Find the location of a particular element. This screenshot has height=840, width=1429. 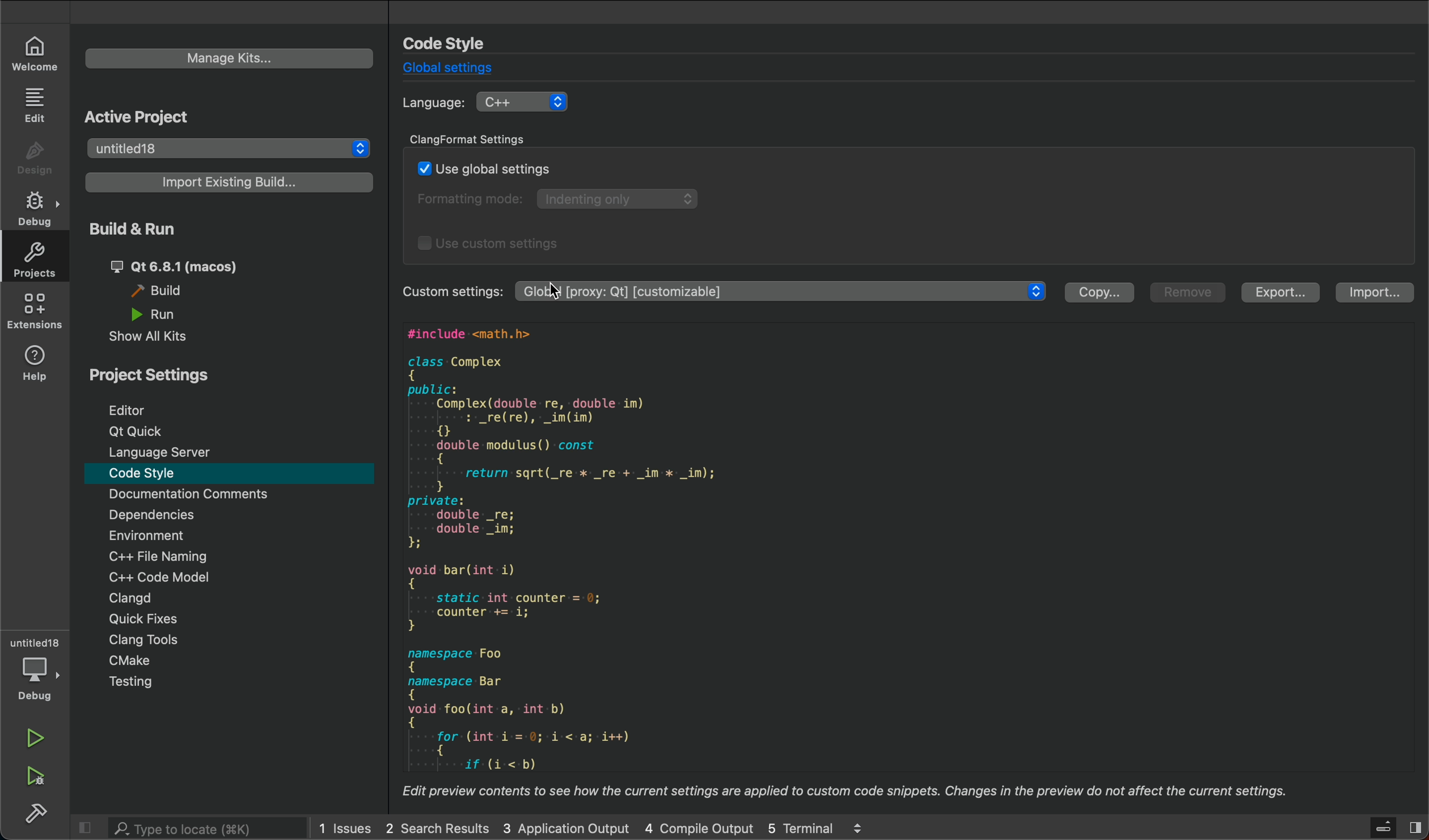

C++ code model  is located at coordinates (183, 580).